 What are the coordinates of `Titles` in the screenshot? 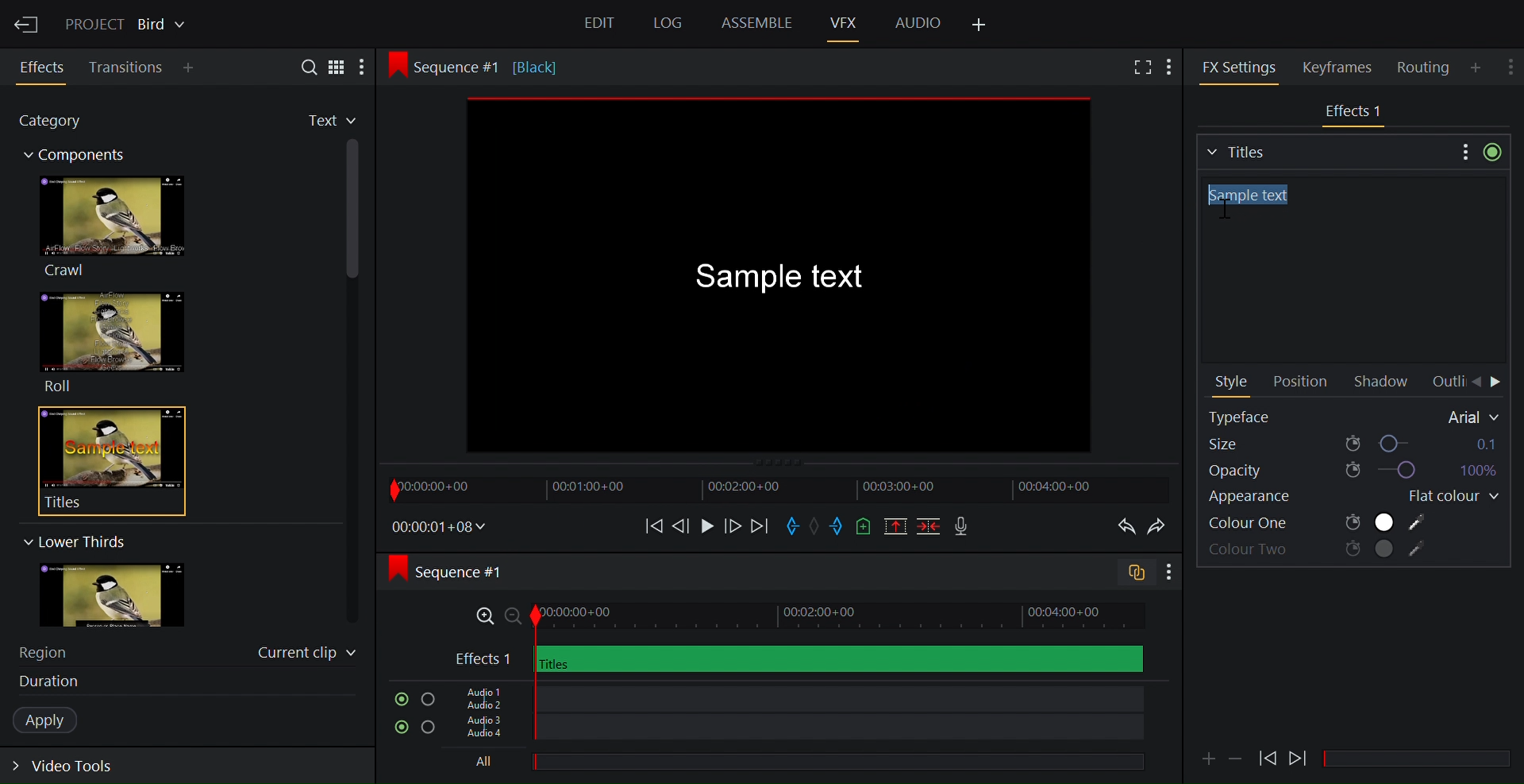 It's located at (102, 460).